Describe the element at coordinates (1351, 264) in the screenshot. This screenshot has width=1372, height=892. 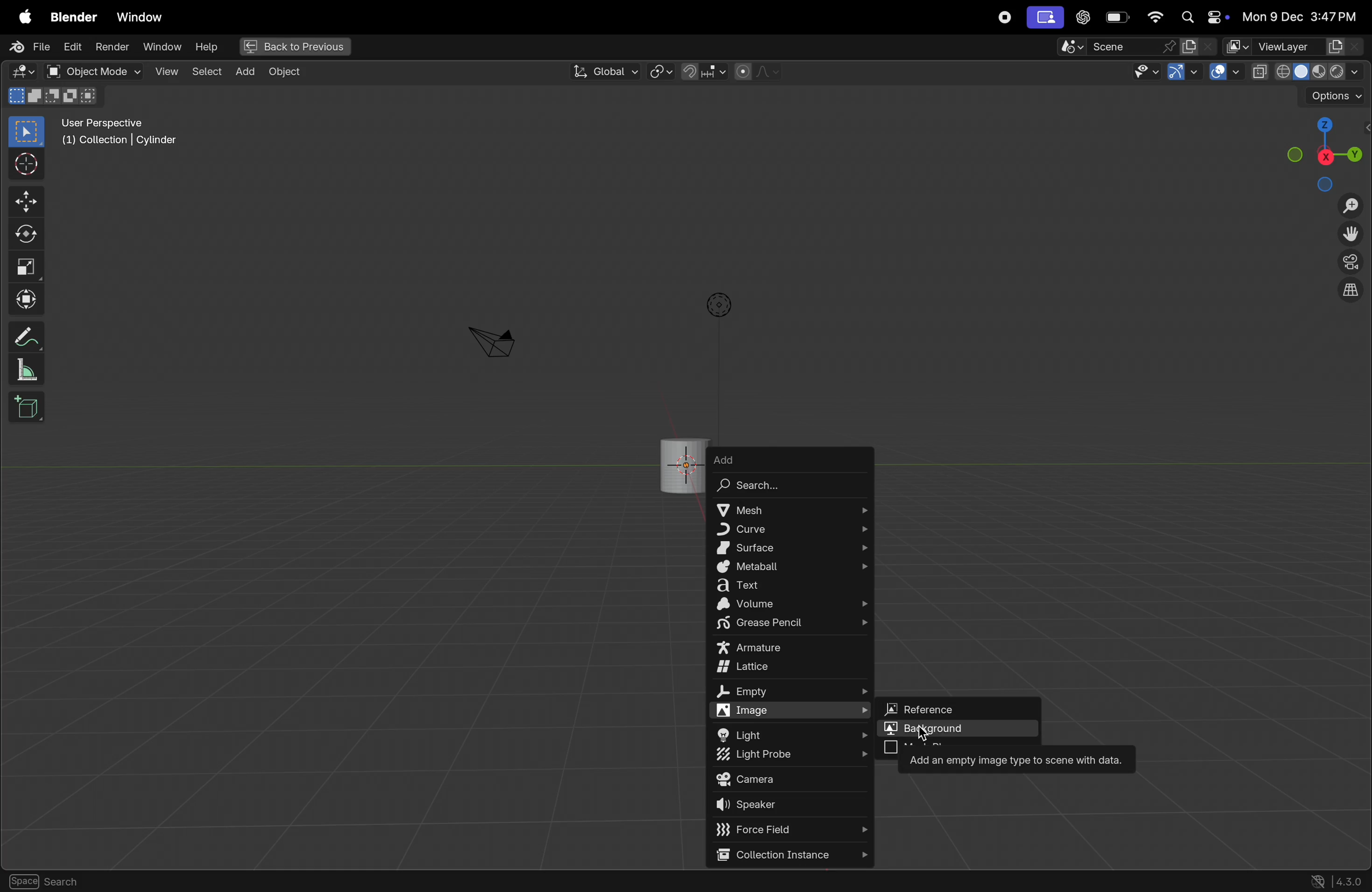
I see `perspective` at that location.